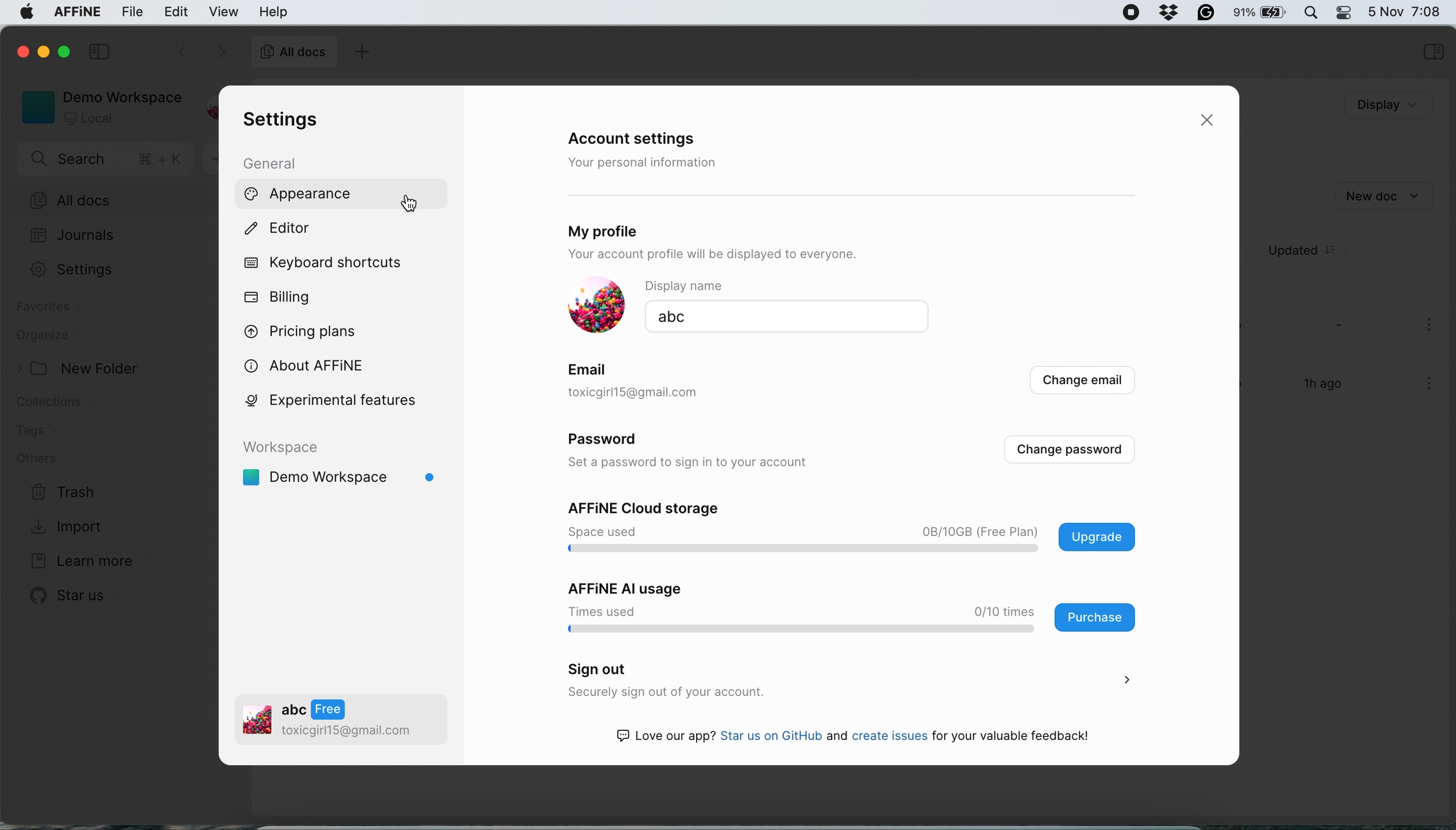 The height and width of the screenshot is (830, 1456). Describe the element at coordinates (74, 234) in the screenshot. I see `journals` at that location.